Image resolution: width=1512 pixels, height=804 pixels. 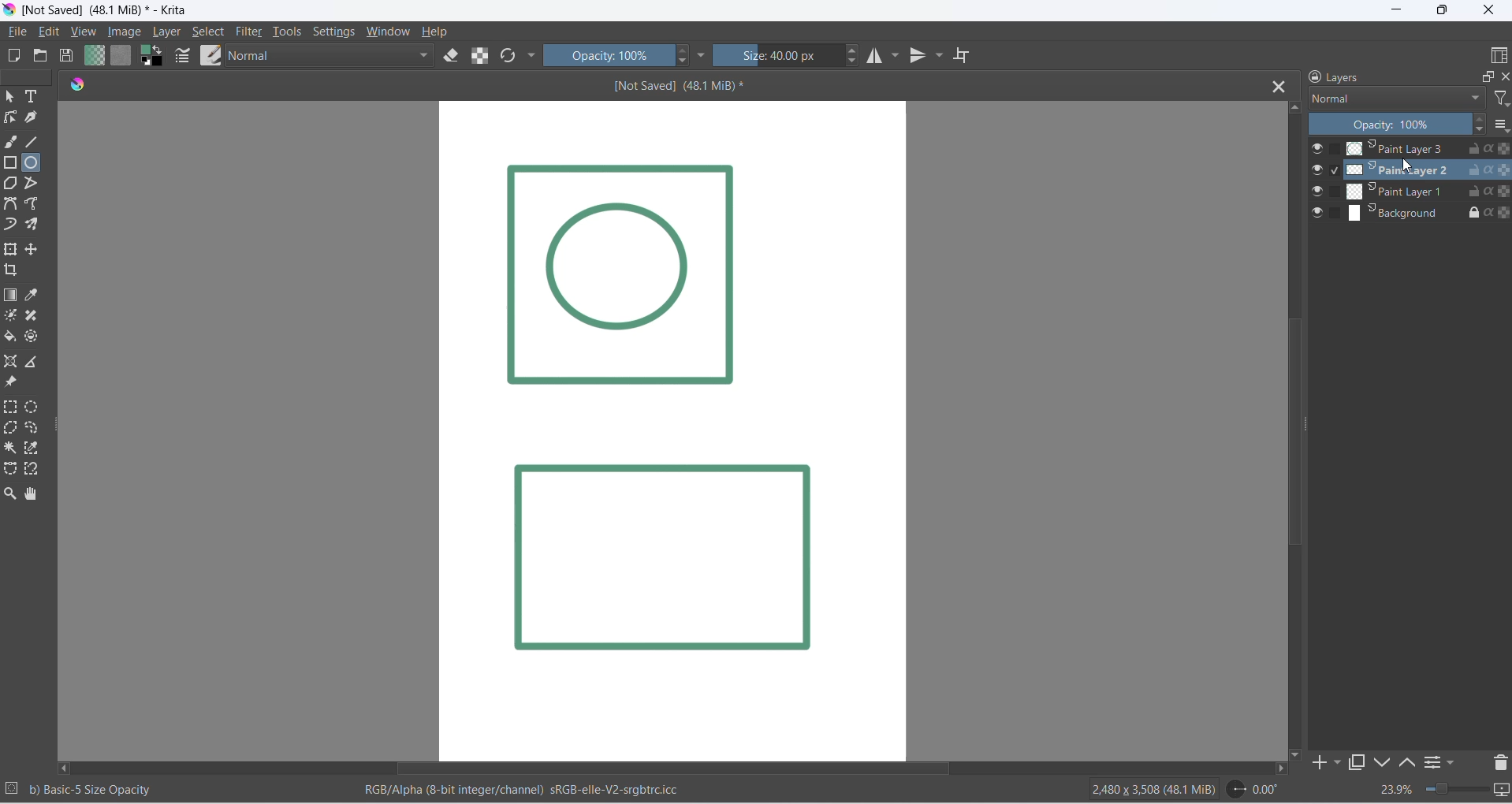 What do you see at coordinates (41, 56) in the screenshot?
I see `open` at bounding box center [41, 56].